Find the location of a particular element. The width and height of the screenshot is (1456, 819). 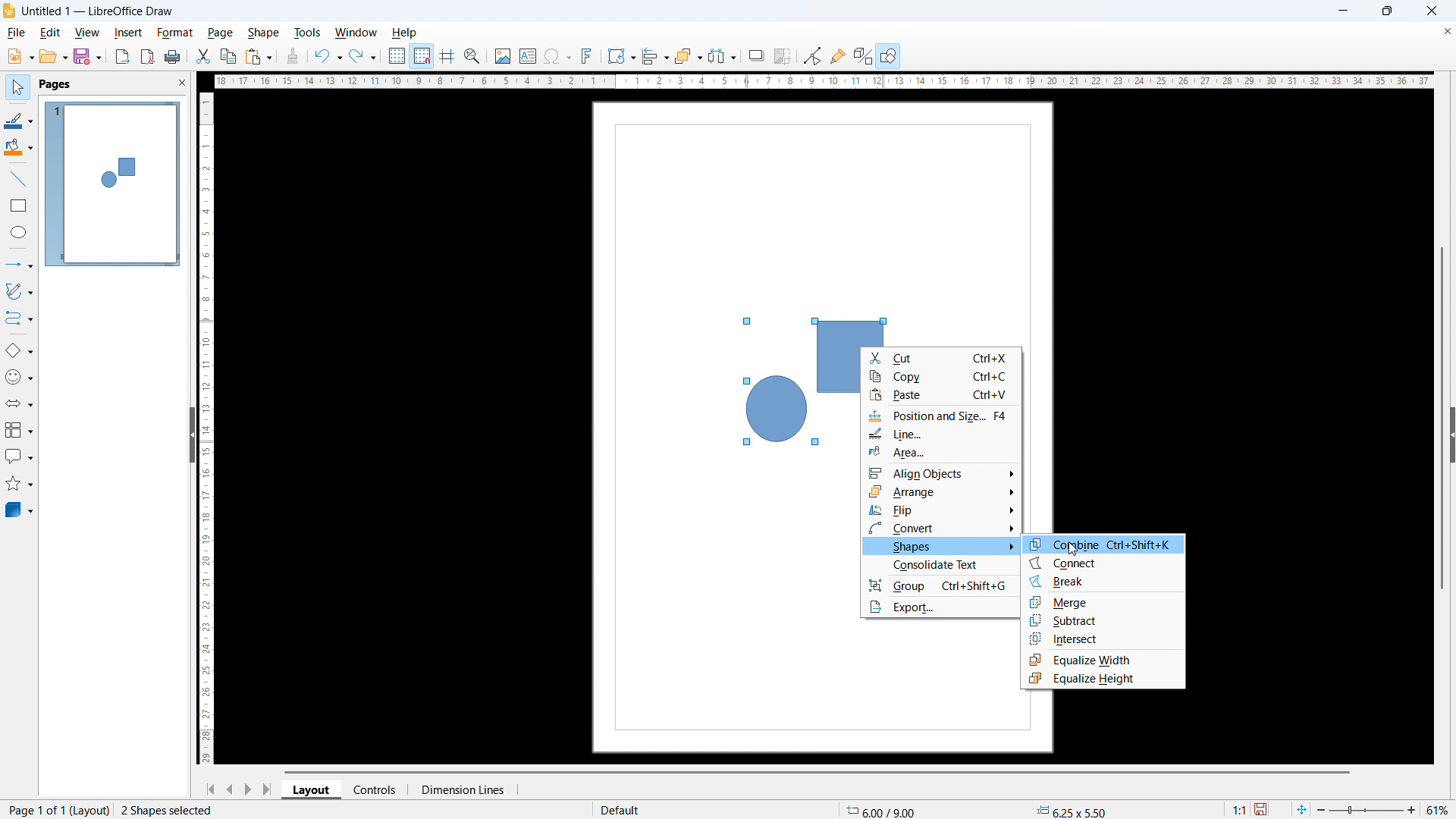

flip is located at coordinates (943, 510).